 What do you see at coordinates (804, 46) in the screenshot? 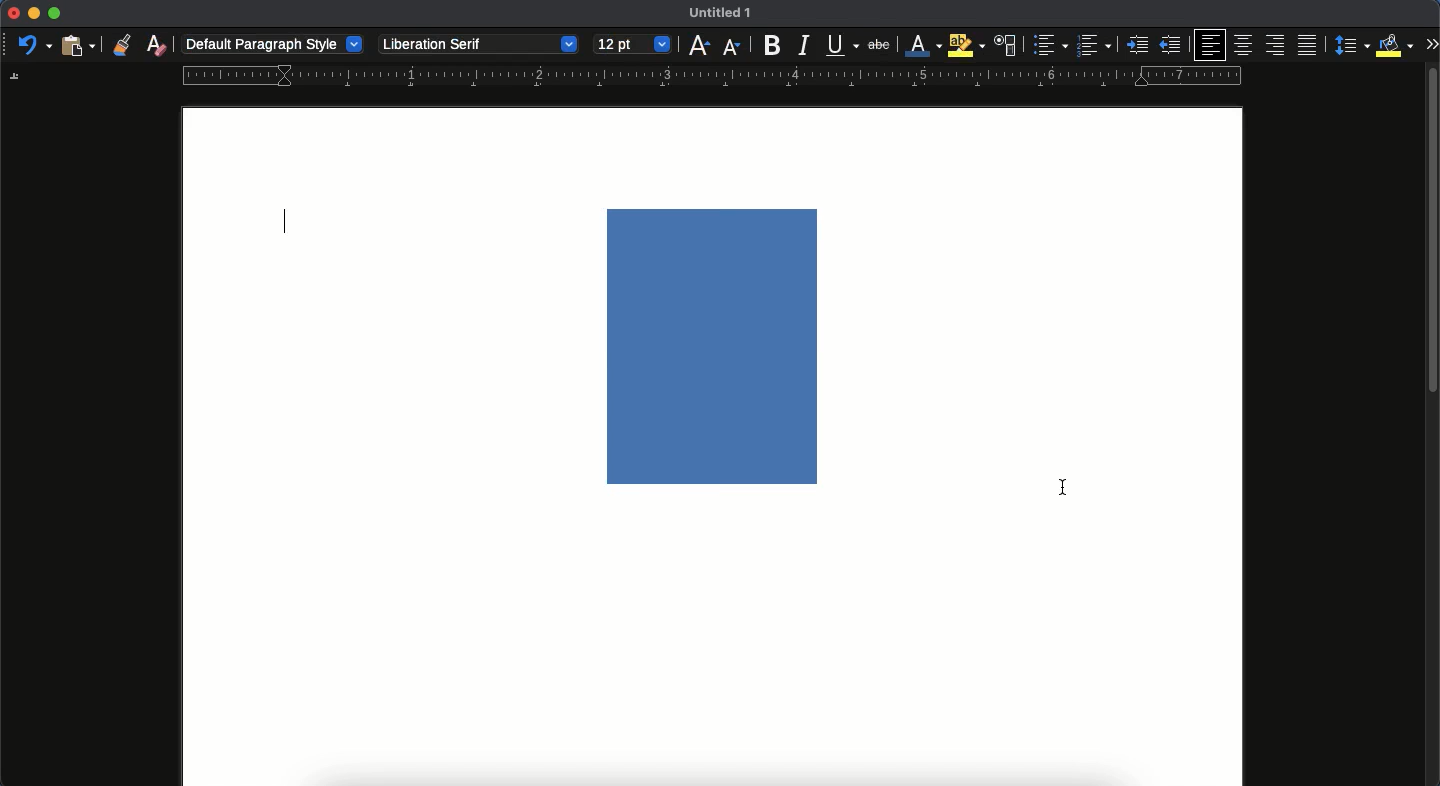
I see `italics` at bounding box center [804, 46].